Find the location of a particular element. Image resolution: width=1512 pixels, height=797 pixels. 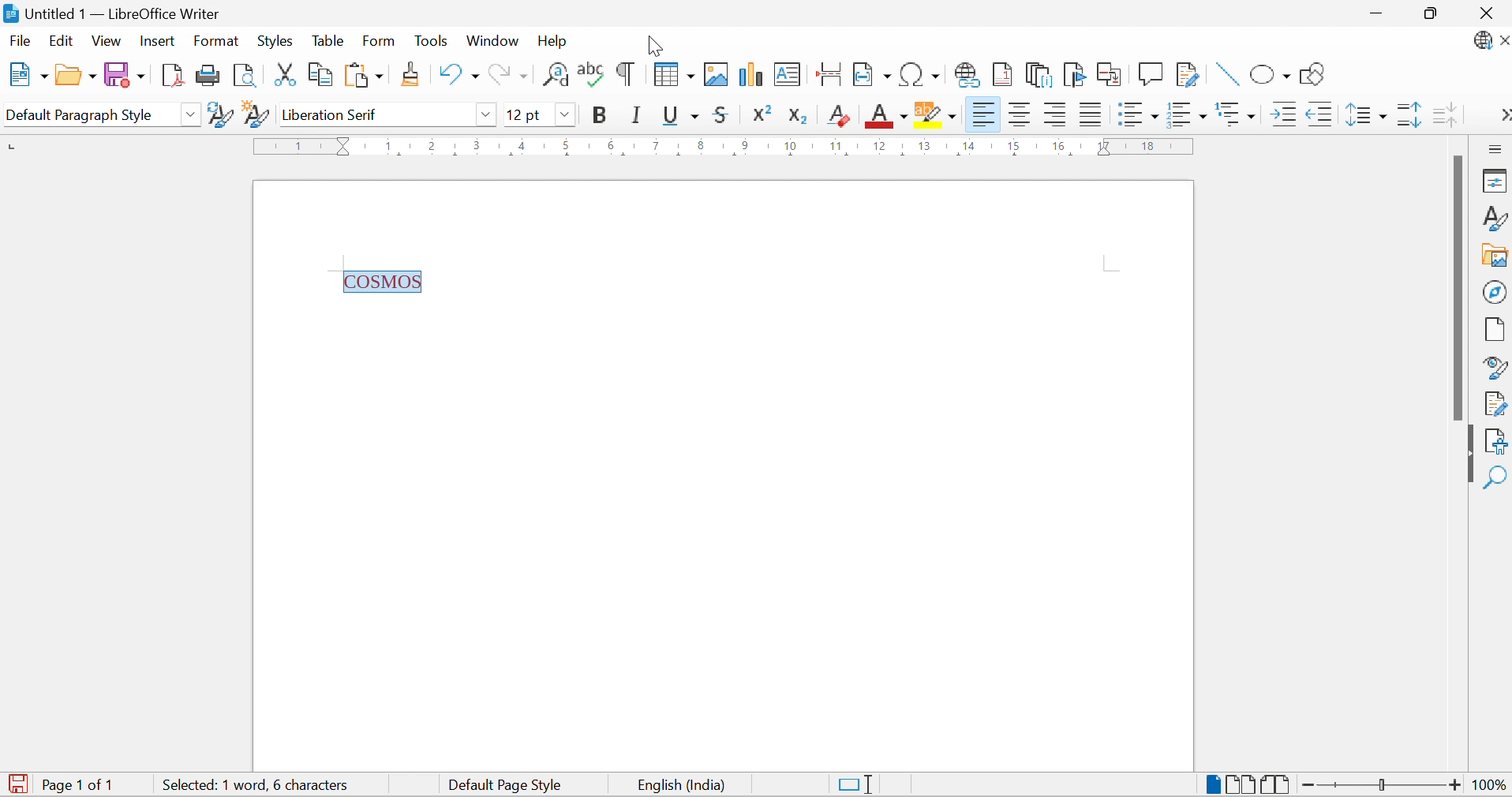

10 is located at coordinates (791, 146).